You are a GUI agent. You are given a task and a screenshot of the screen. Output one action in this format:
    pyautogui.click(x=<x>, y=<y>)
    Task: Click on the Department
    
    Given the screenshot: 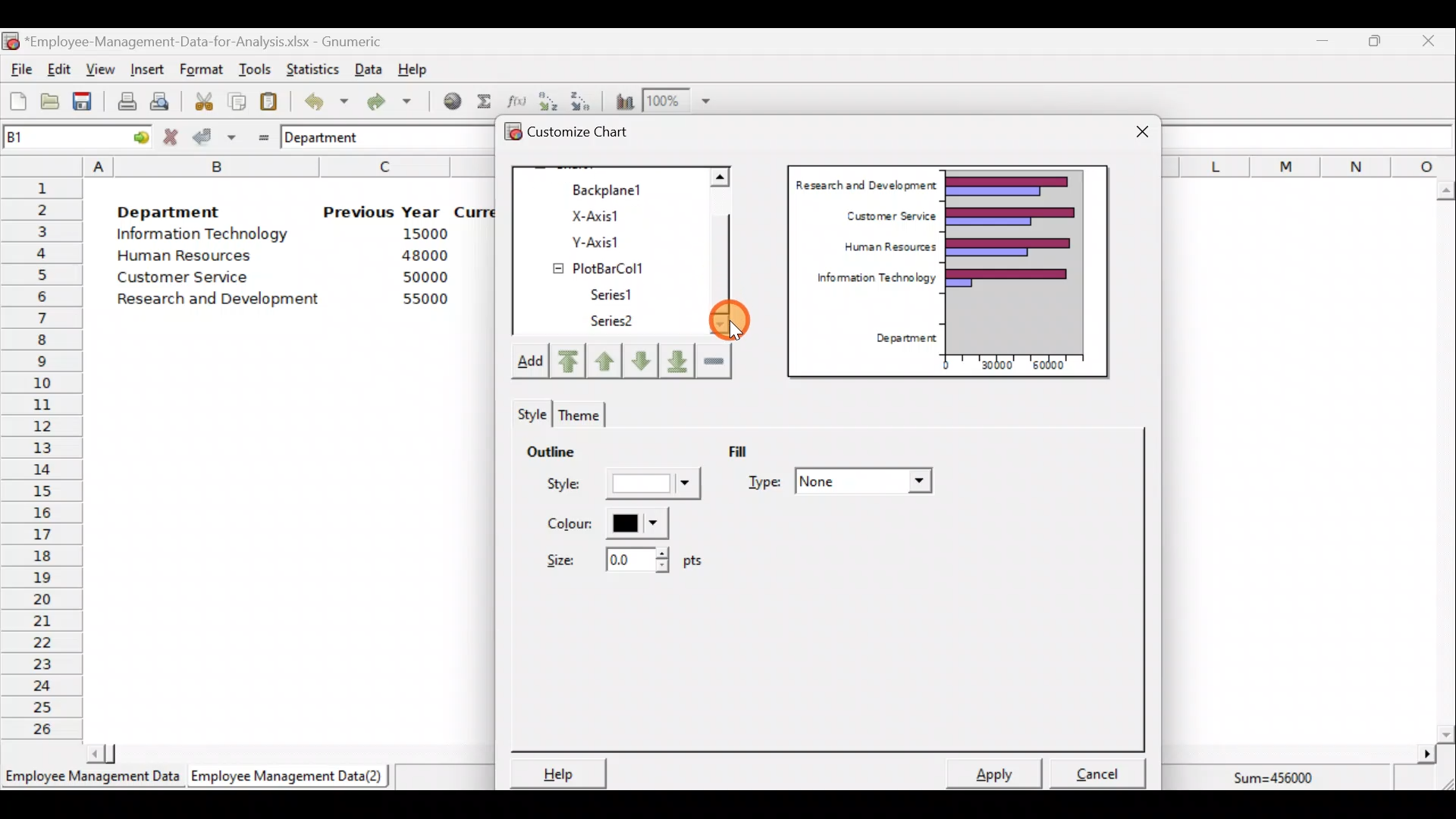 What is the action you would take?
    pyautogui.click(x=168, y=208)
    